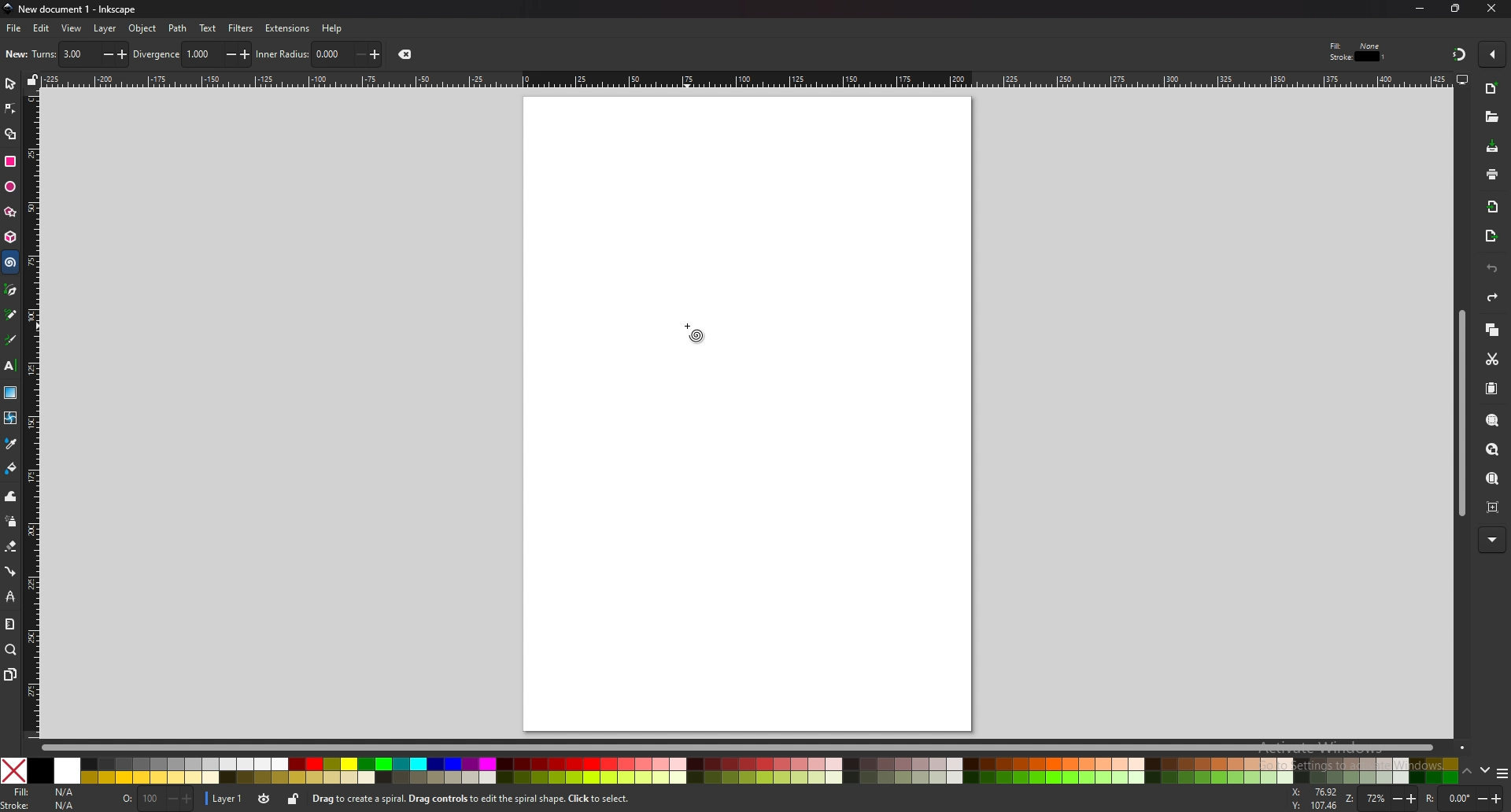 The height and width of the screenshot is (812, 1511). What do you see at coordinates (408, 54) in the screenshot?
I see `close` at bounding box center [408, 54].